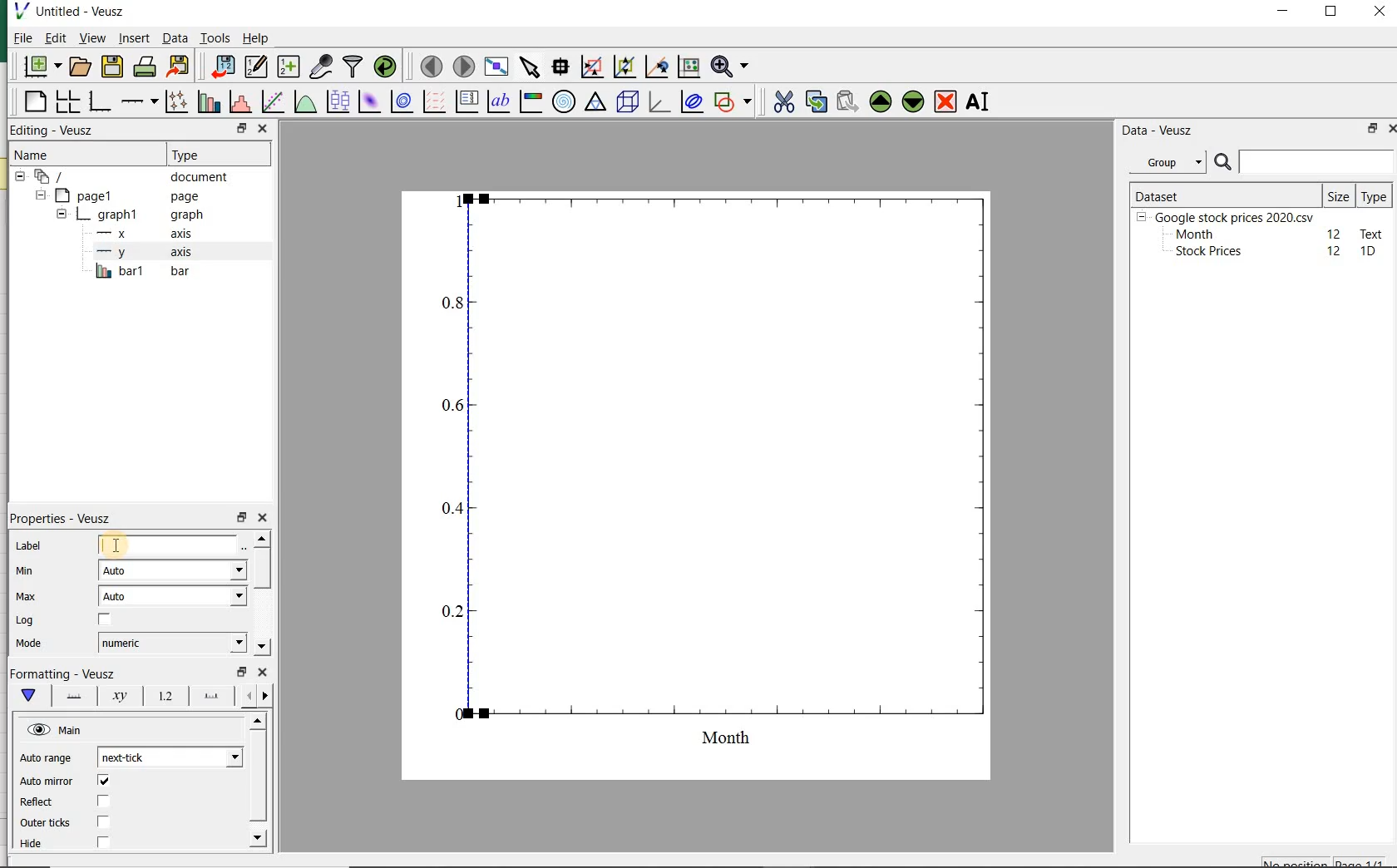  I want to click on click to reset graph axes, so click(687, 67).